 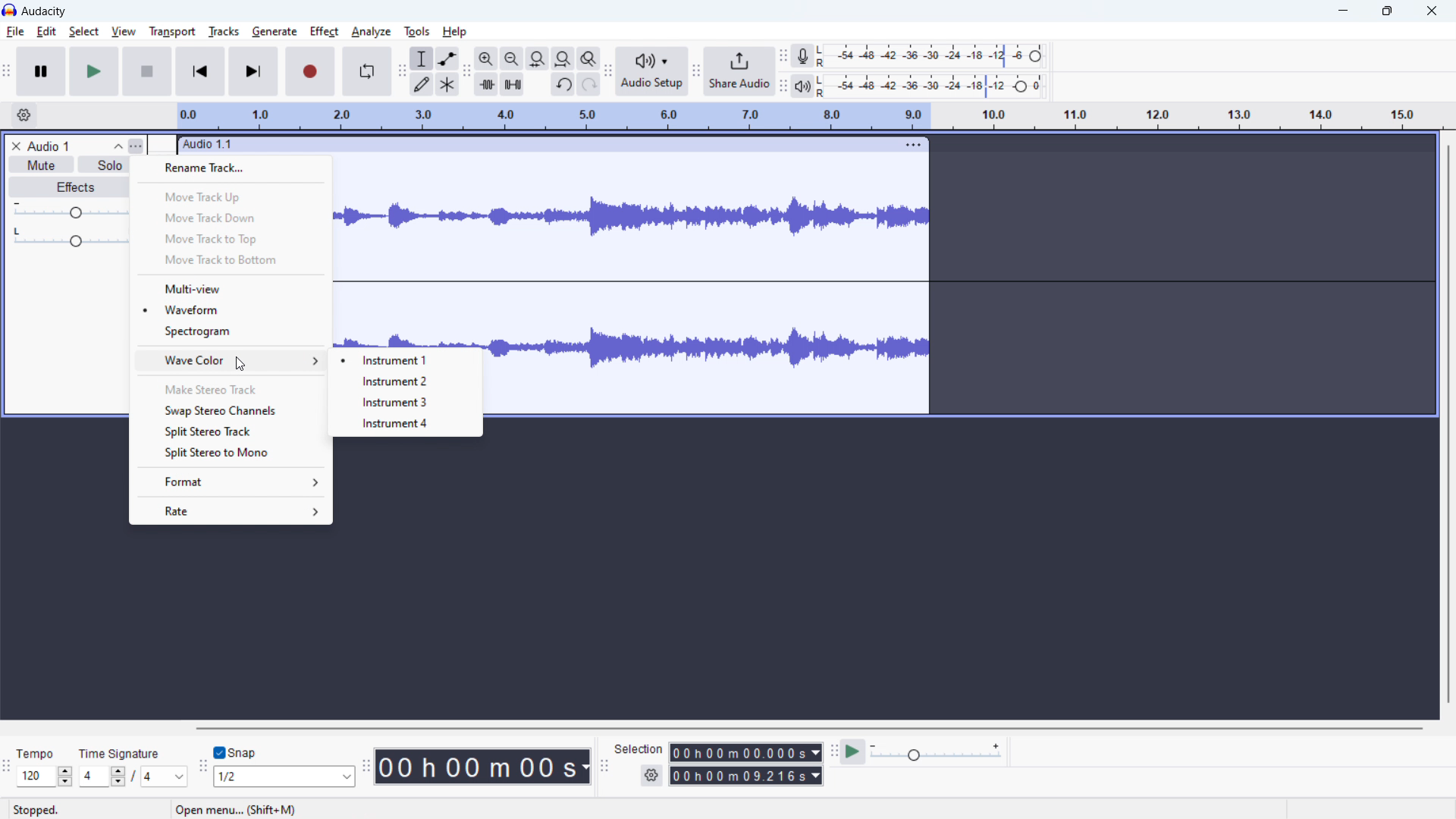 I want to click on tracks, so click(x=224, y=32).